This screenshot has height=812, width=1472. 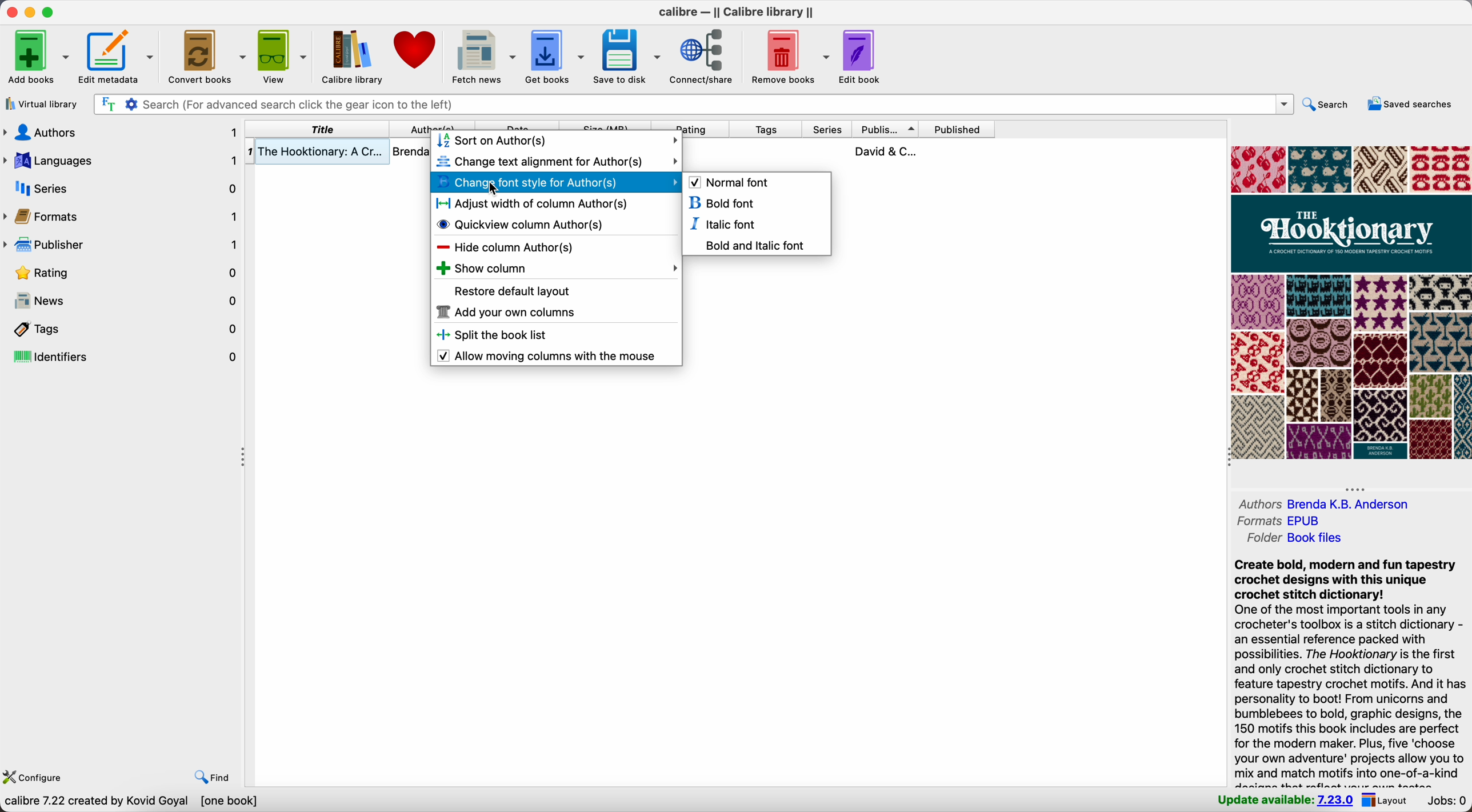 What do you see at coordinates (320, 129) in the screenshot?
I see `title` at bounding box center [320, 129].